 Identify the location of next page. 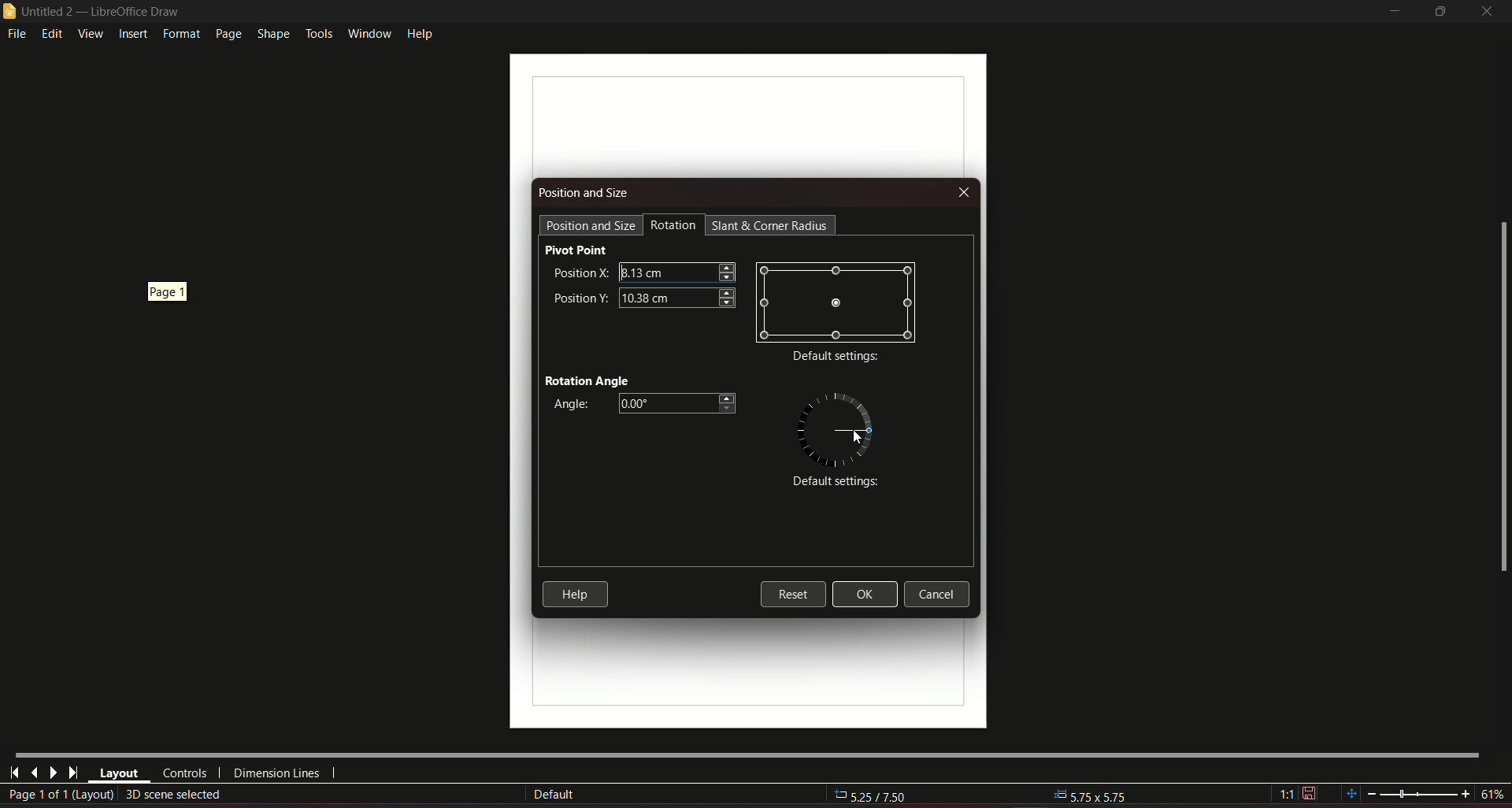
(53, 773).